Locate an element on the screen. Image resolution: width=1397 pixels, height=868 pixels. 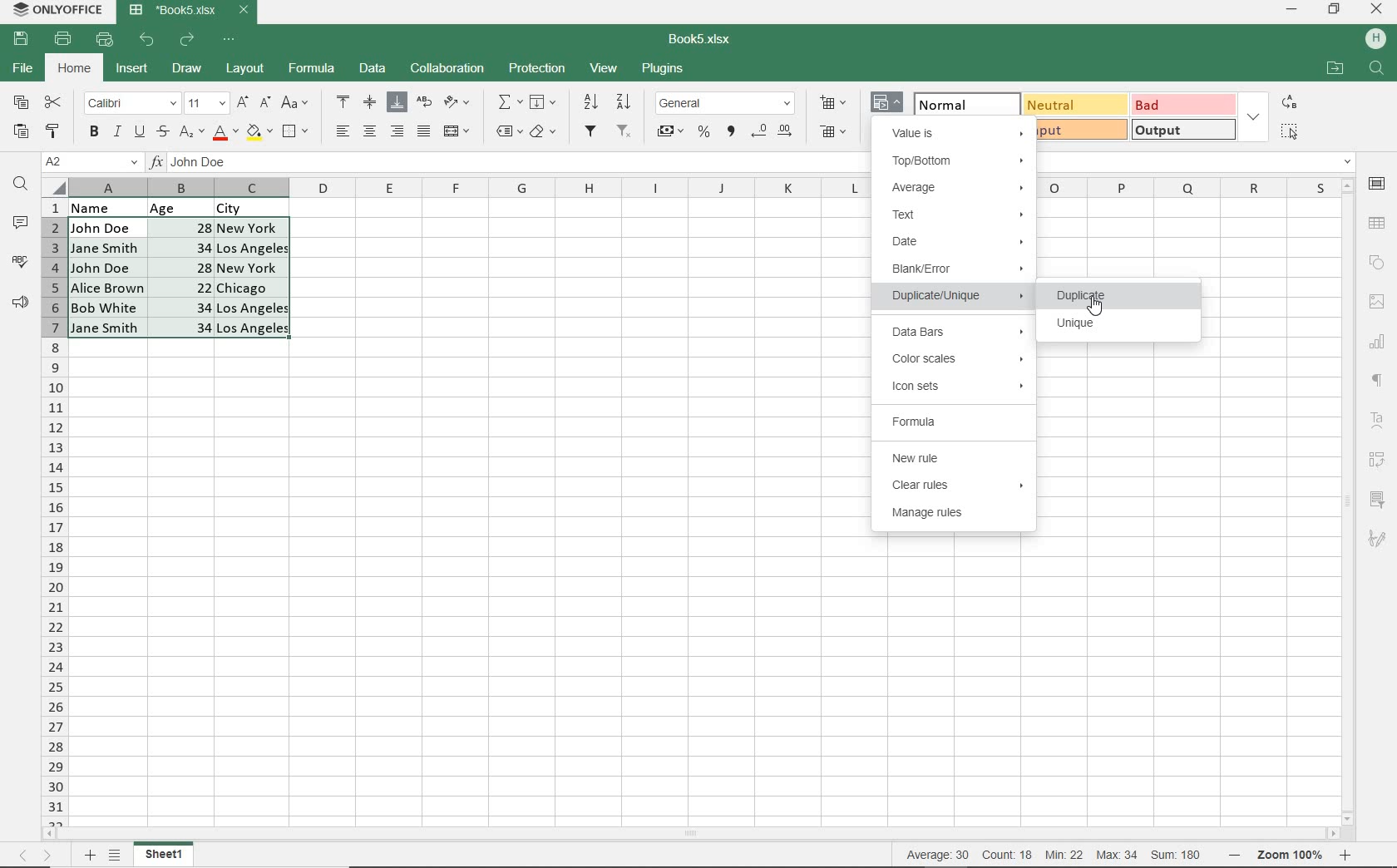
FILL COLOR is located at coordinates (259, 131).